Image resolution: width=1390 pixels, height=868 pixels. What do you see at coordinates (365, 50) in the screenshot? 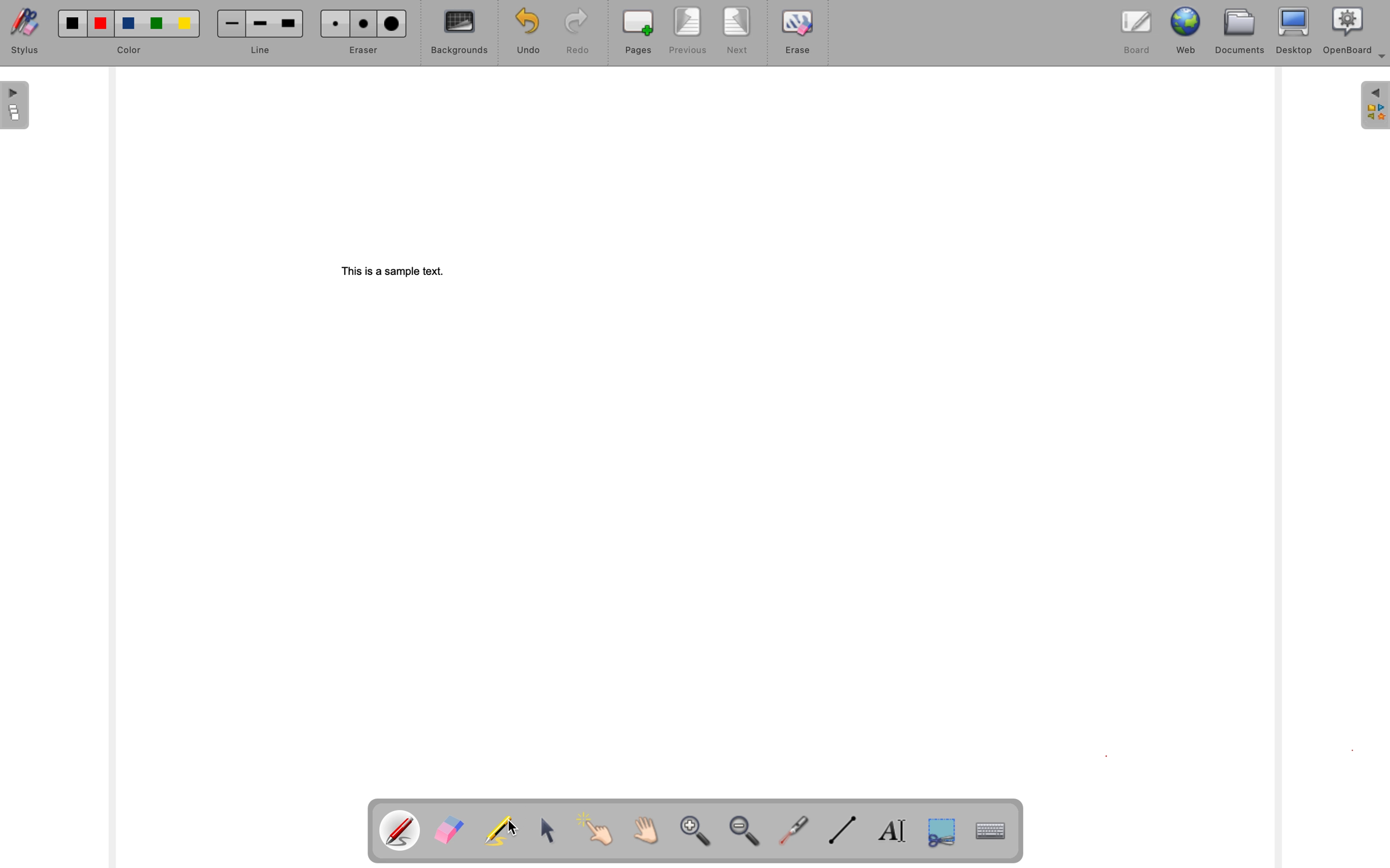
I see `eraser` at bounding box center [365, 50].